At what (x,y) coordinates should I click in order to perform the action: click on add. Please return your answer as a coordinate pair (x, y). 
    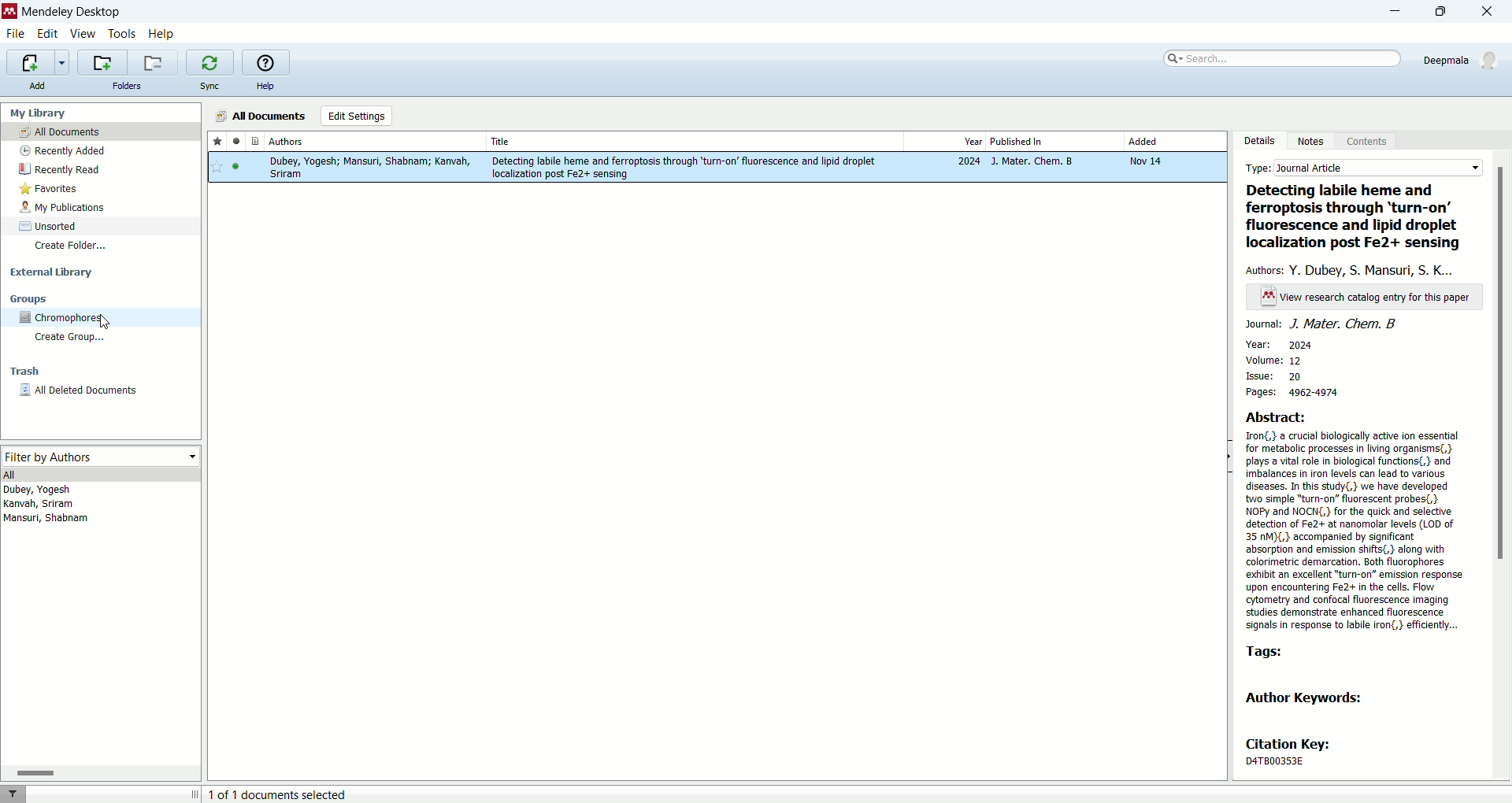
    Looking at the image, I should click on (39, 86).